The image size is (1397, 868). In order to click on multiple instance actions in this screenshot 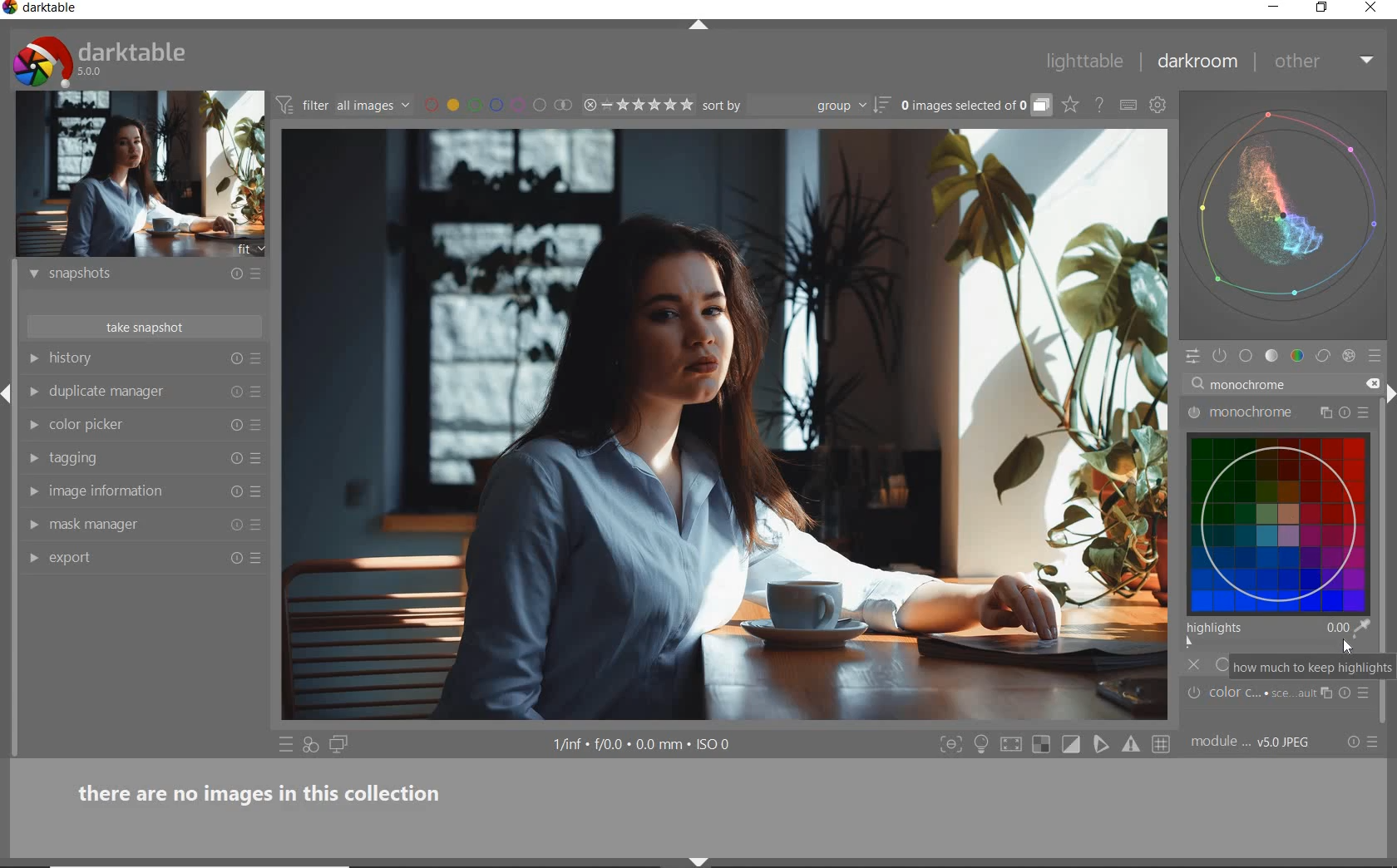, I will do `click(1330, 693)`.